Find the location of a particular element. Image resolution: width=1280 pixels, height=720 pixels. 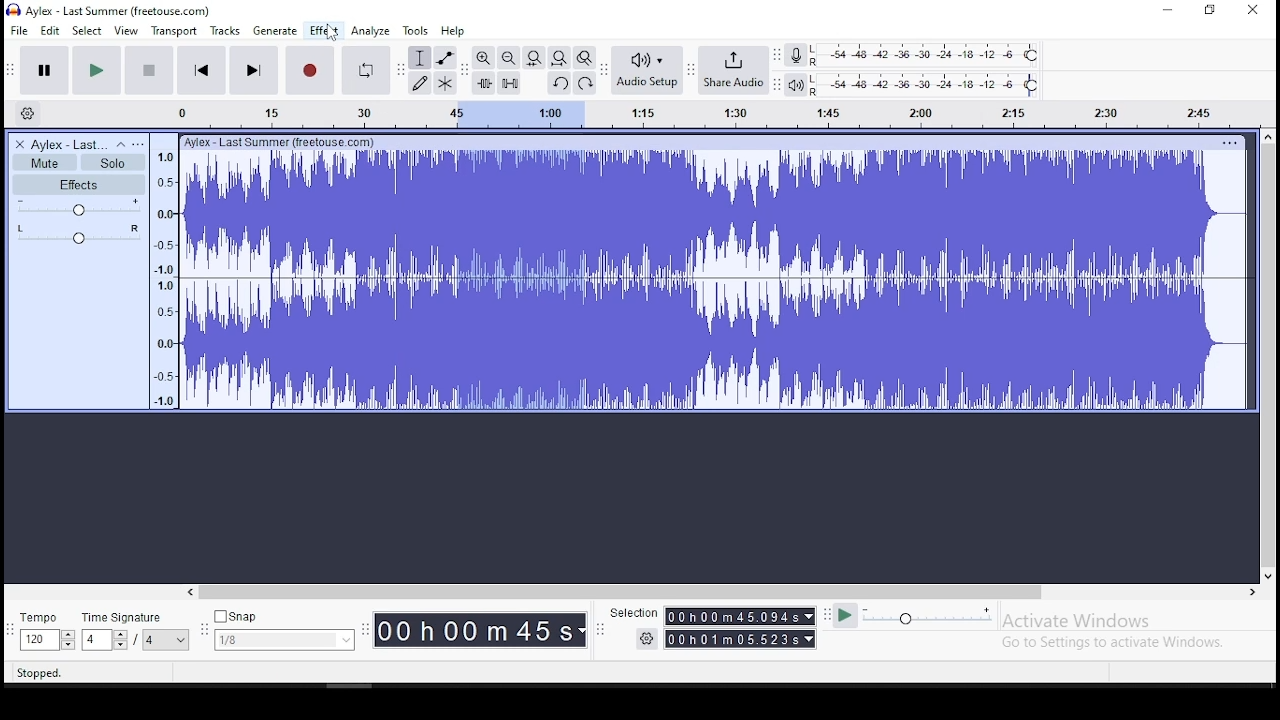

zoom toggle is located at coordinates (585, 57).